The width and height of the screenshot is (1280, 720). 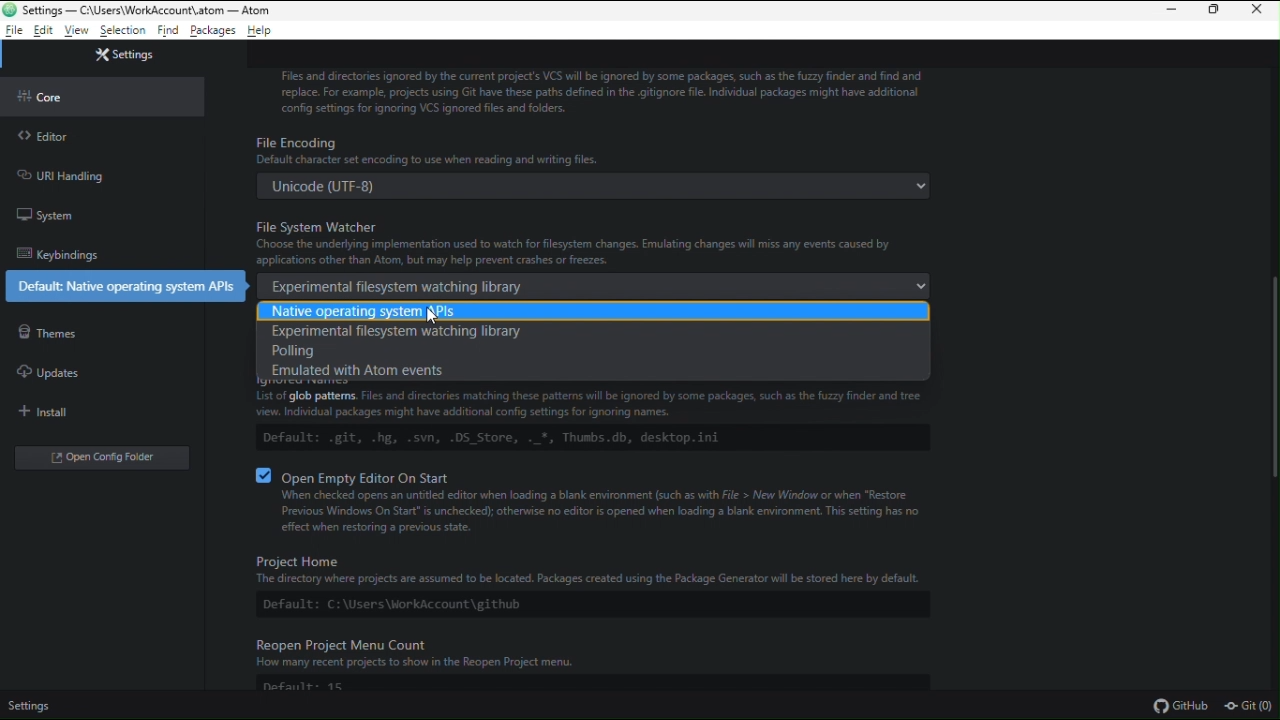 I want to click on Default settings, so click(x=123, y=286).